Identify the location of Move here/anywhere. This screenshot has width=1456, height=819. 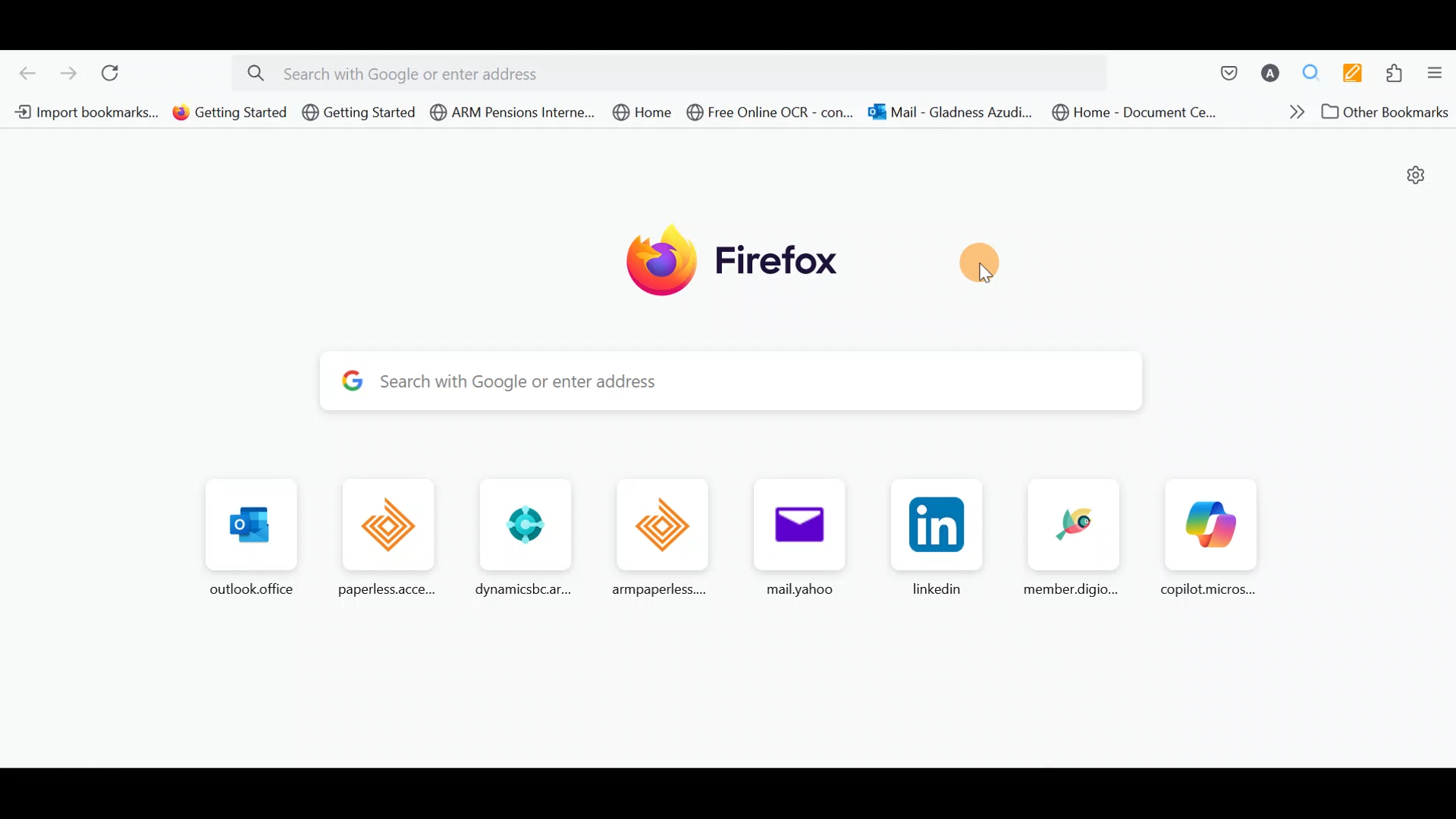
(975, 262).